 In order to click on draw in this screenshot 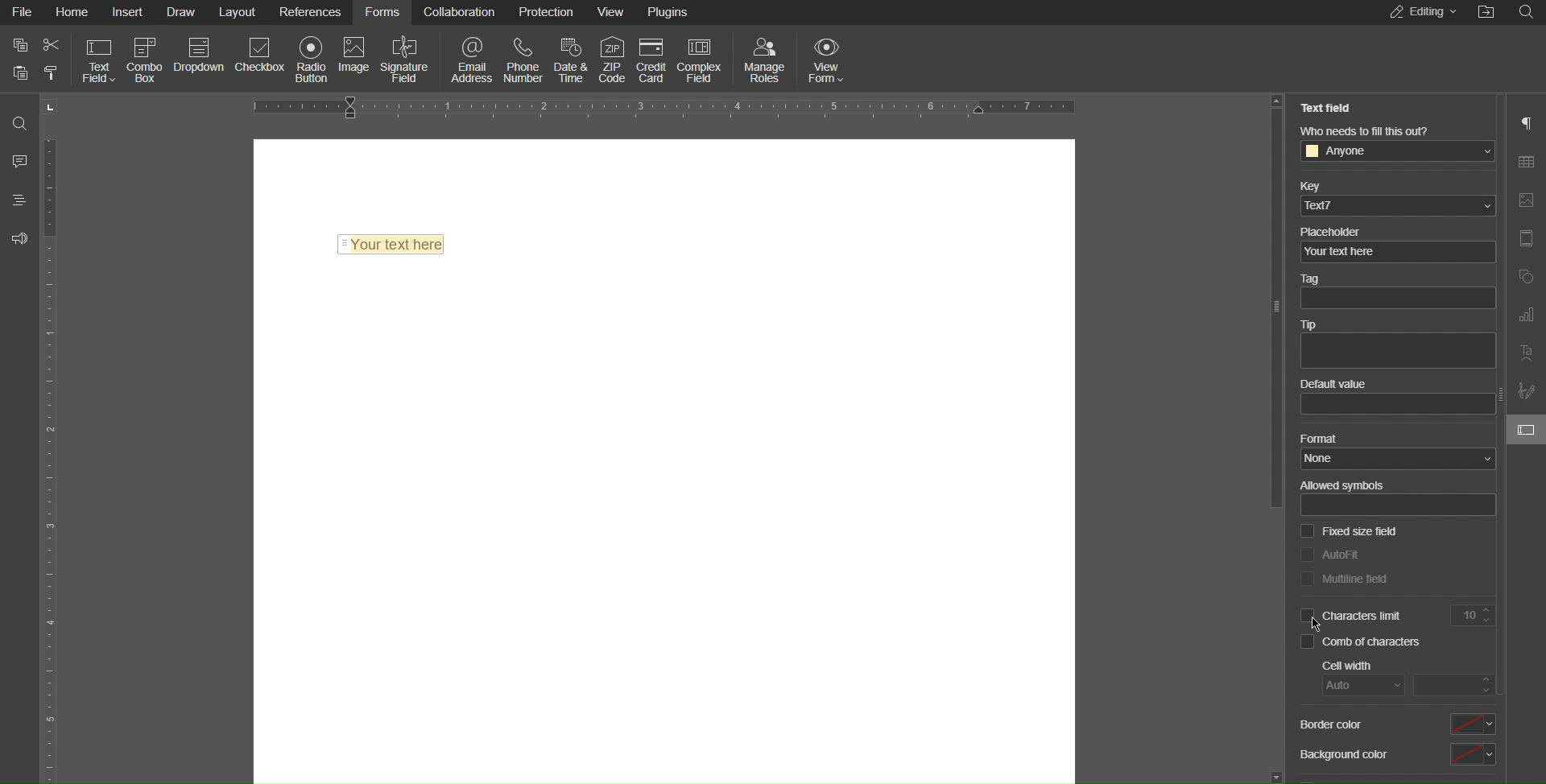, I will do `click(183, 12)`.